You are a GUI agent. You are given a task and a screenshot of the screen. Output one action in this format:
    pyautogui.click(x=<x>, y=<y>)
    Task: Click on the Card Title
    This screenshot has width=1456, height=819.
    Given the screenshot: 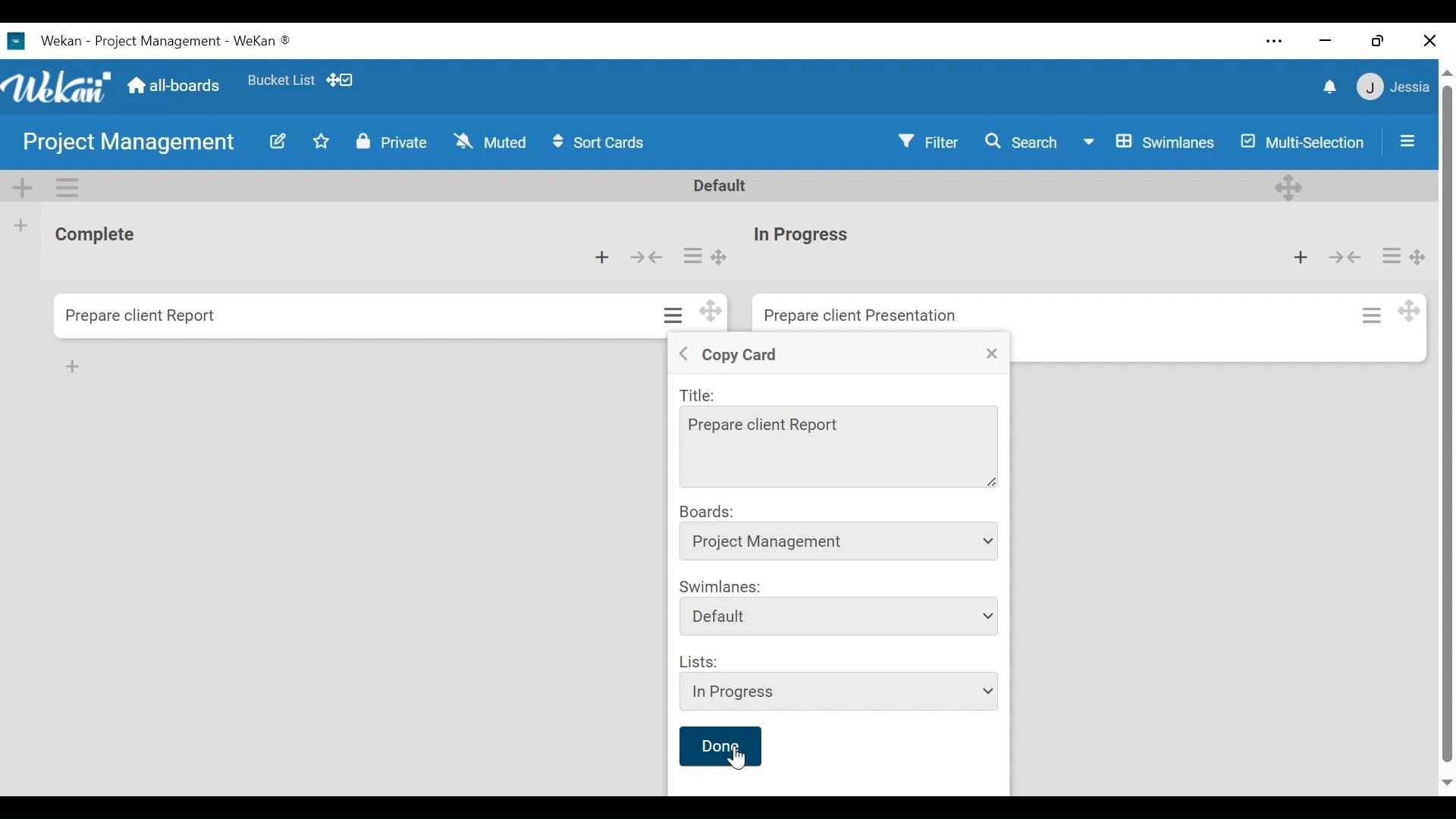 What is the action you would take?
    pyautogui.click(x=808, y=235)
    